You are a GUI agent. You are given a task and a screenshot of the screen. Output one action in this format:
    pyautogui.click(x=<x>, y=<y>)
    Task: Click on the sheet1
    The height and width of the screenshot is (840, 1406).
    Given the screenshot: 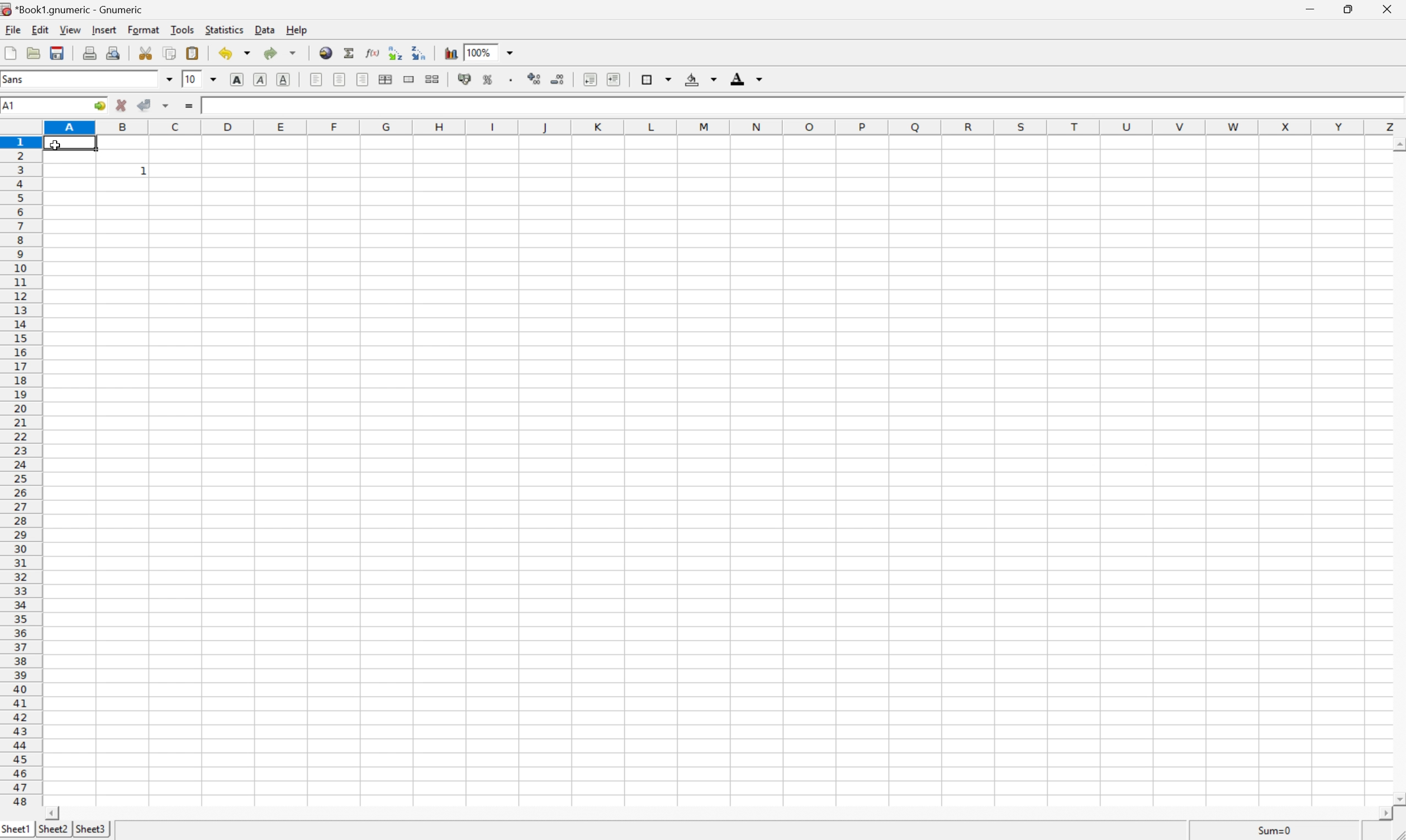 What is the action you would take?
    pyautogui.click(x=16, y=832)
    